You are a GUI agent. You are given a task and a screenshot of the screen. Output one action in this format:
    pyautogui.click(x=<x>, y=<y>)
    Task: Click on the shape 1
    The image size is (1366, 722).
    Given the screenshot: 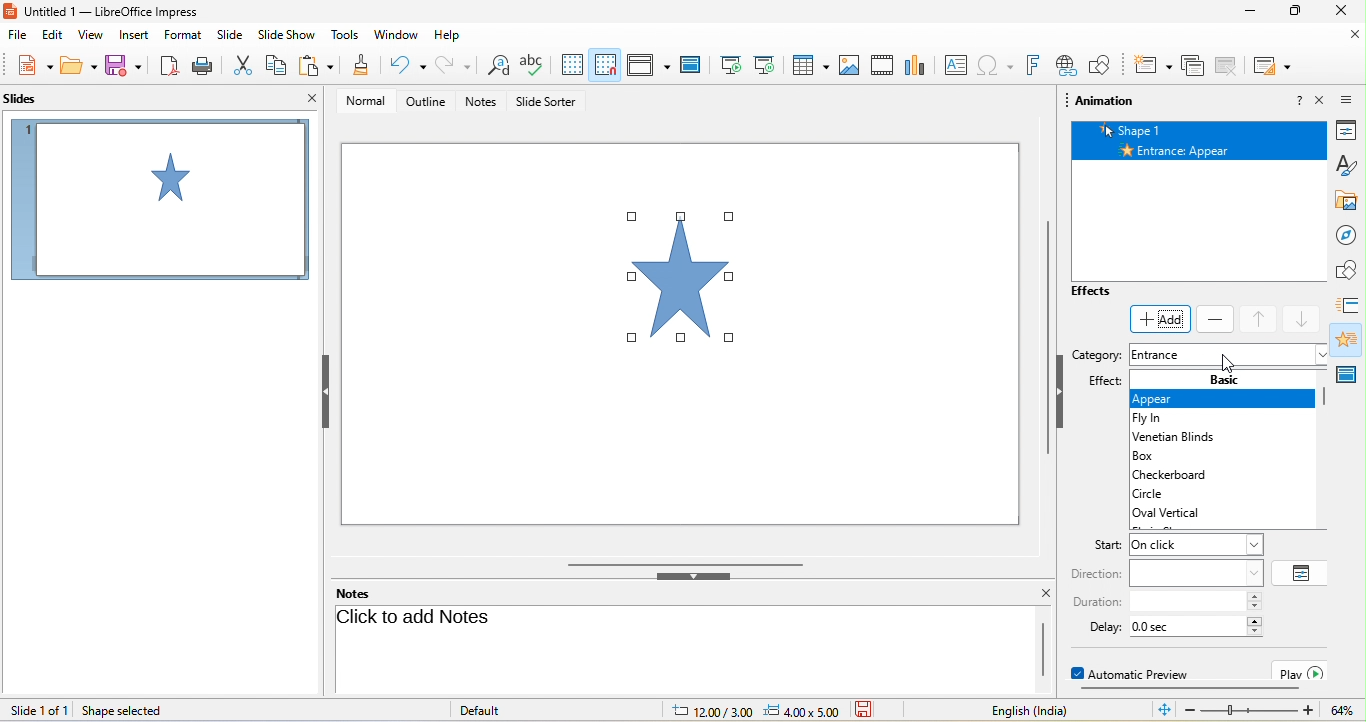 What is the action you would take?
    pyautogui.click(x=1203, y=129)
    